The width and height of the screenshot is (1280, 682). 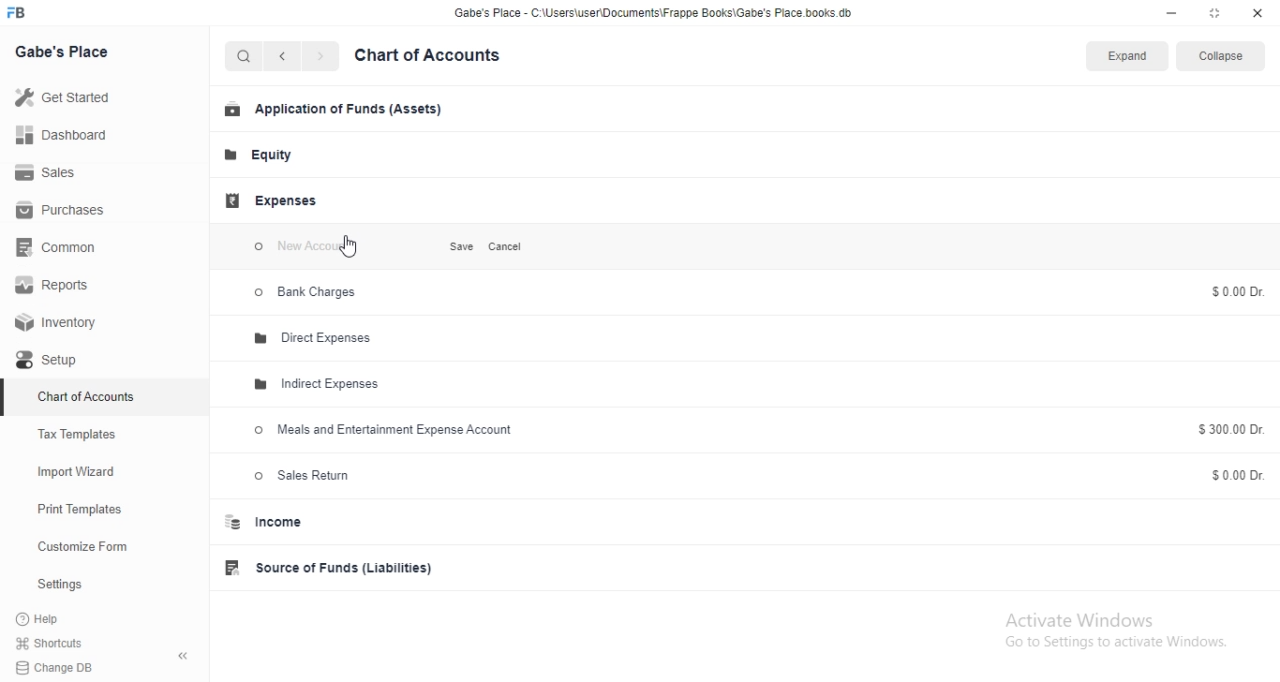 I want to click on next, so click(x=327, y=58).